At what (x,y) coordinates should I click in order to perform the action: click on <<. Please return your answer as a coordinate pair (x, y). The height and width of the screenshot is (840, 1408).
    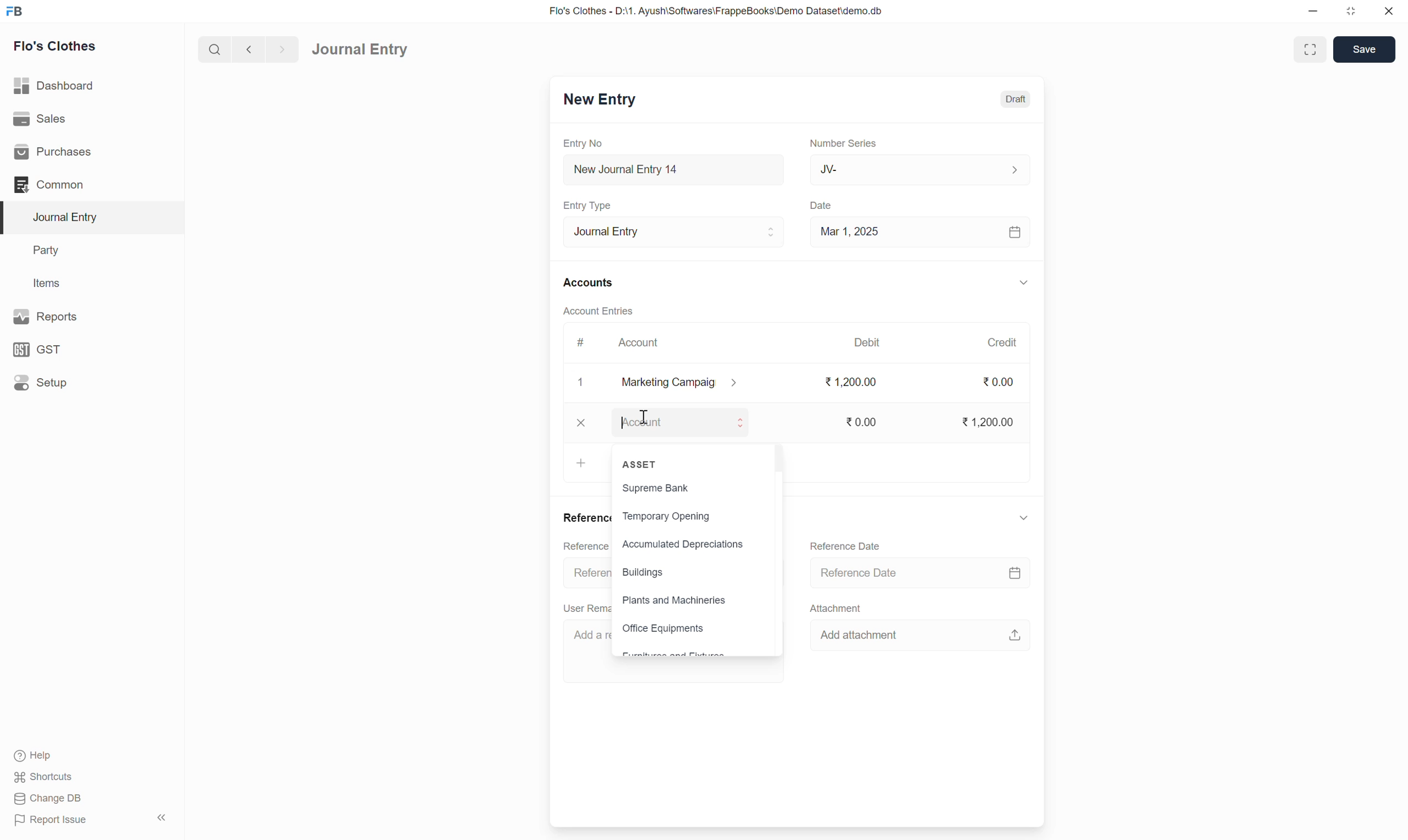
    Looking at the image, I should click on (161, 818).